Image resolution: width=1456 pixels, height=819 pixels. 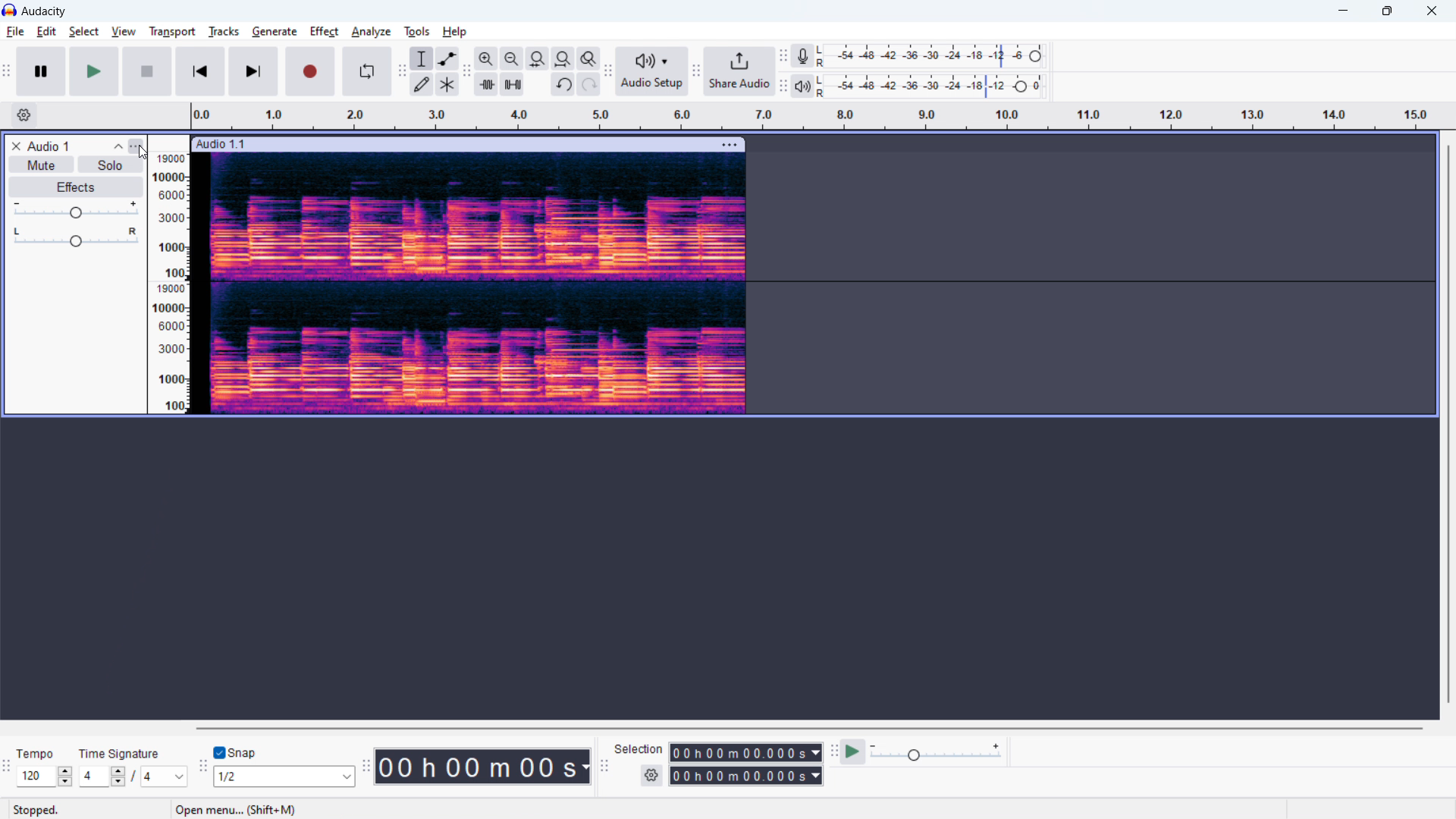 I want to click on open menu.. (Shift+M), so click(x=240, y=810).